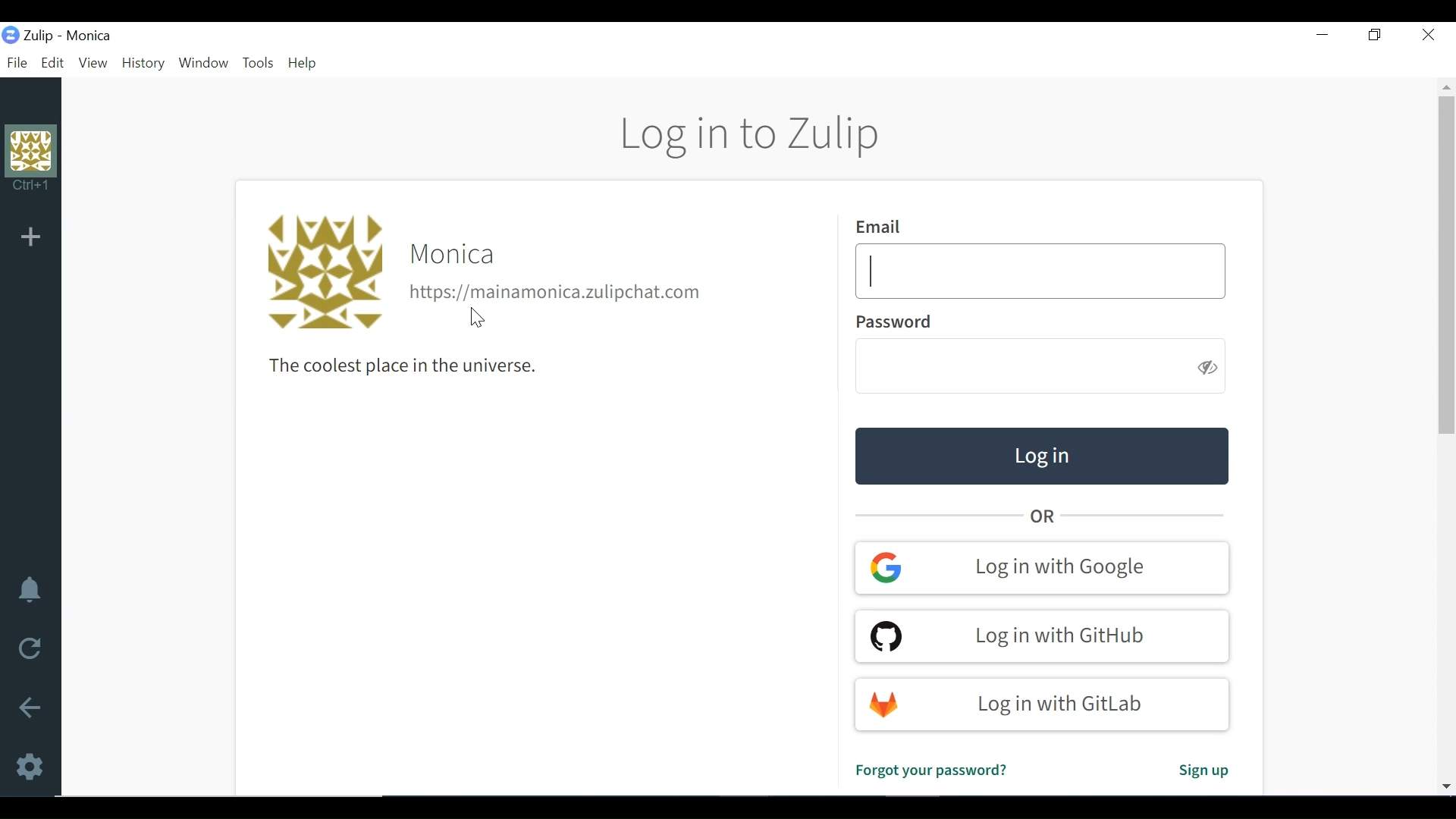  Describe the element at coordinates (1021, 369) in the screenshot. I see `Enter Password` at that location.